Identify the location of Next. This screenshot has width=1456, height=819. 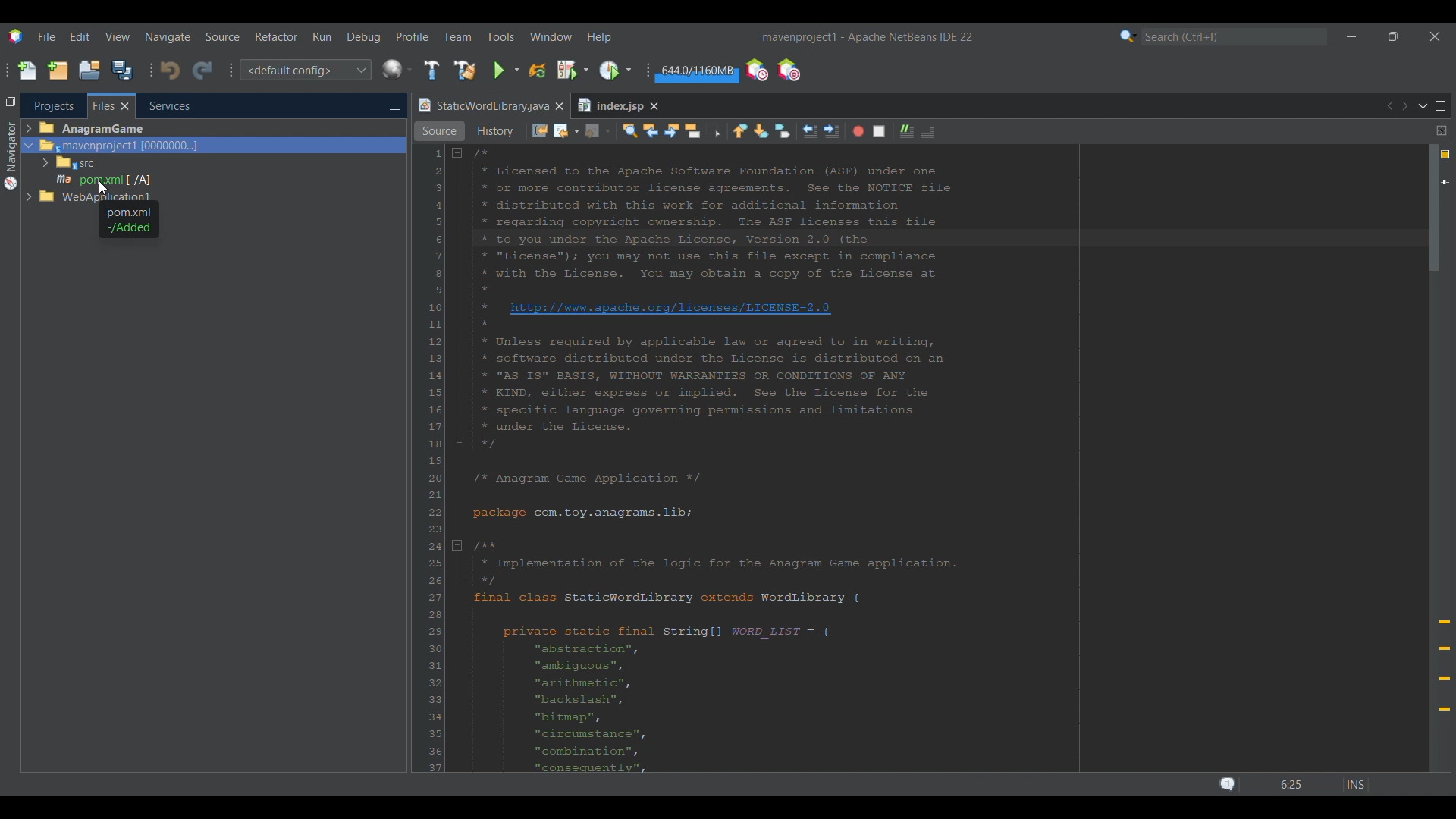
(1404, 105).